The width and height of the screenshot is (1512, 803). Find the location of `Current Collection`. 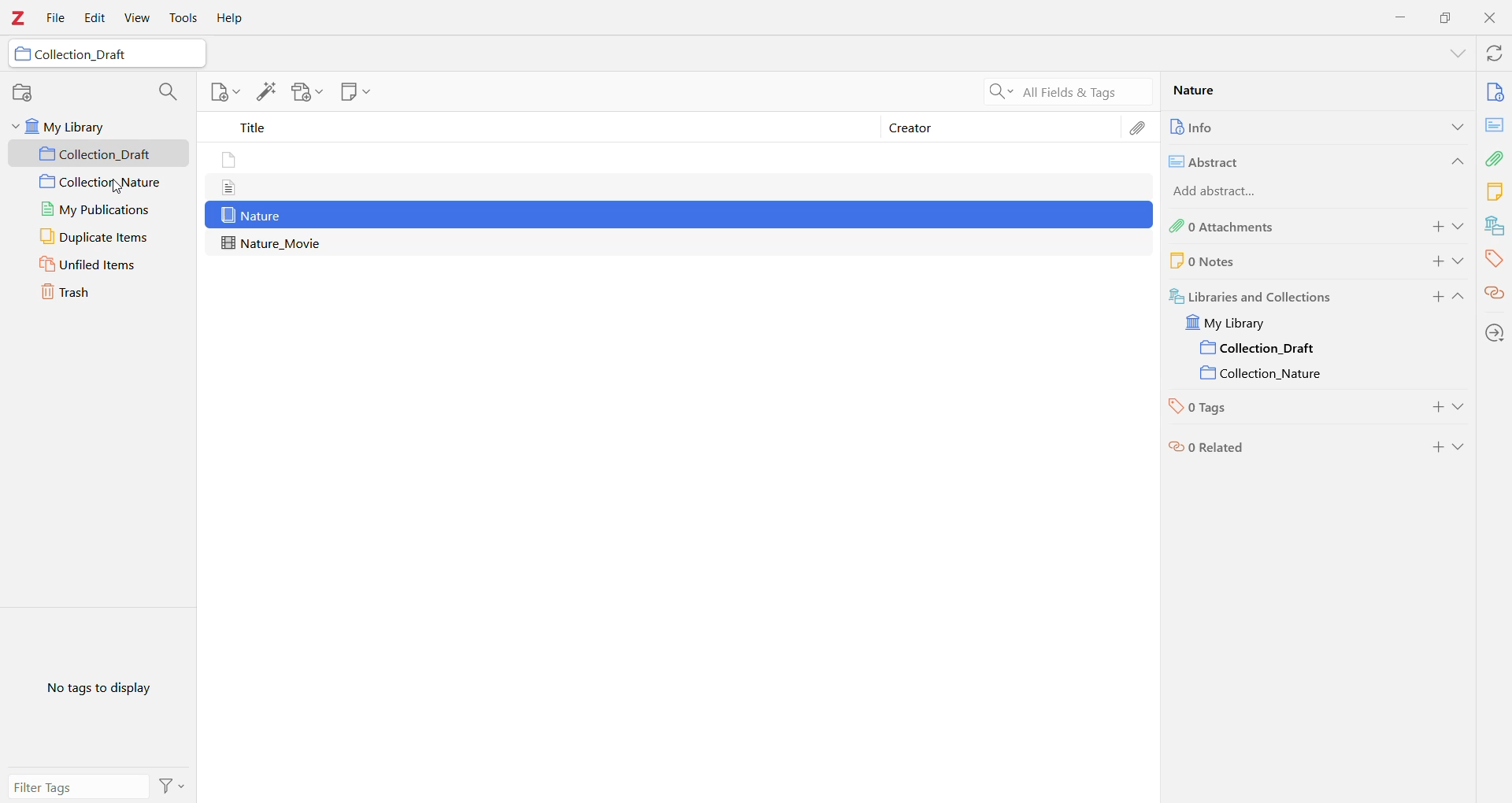

Current Collection is located at coordinates (1262, 348).